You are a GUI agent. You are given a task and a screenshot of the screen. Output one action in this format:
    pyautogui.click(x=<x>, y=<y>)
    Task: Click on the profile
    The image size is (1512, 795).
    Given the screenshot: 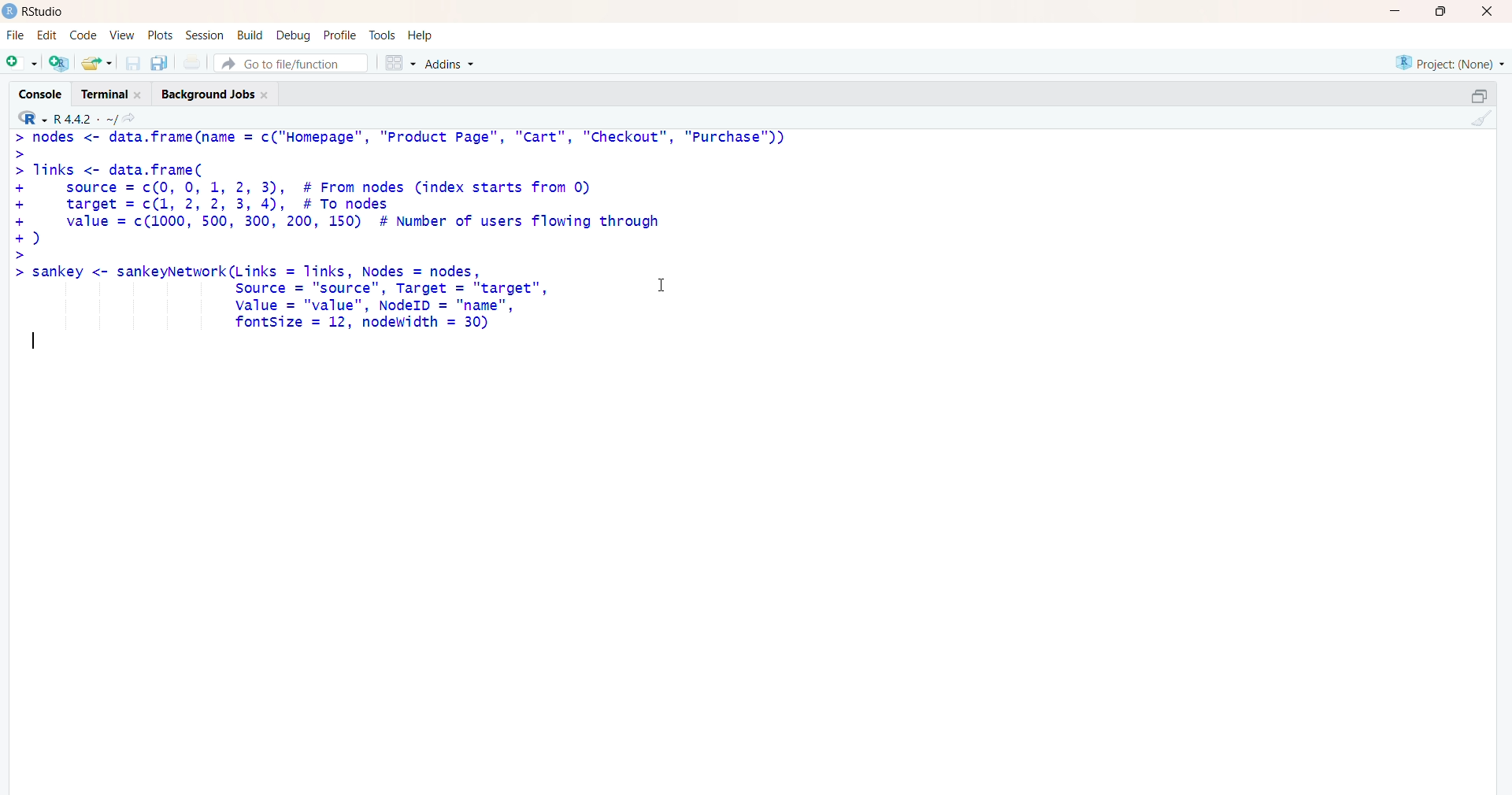 What is the action you would take?
    pyautogui.click(x=339, y=34)
    